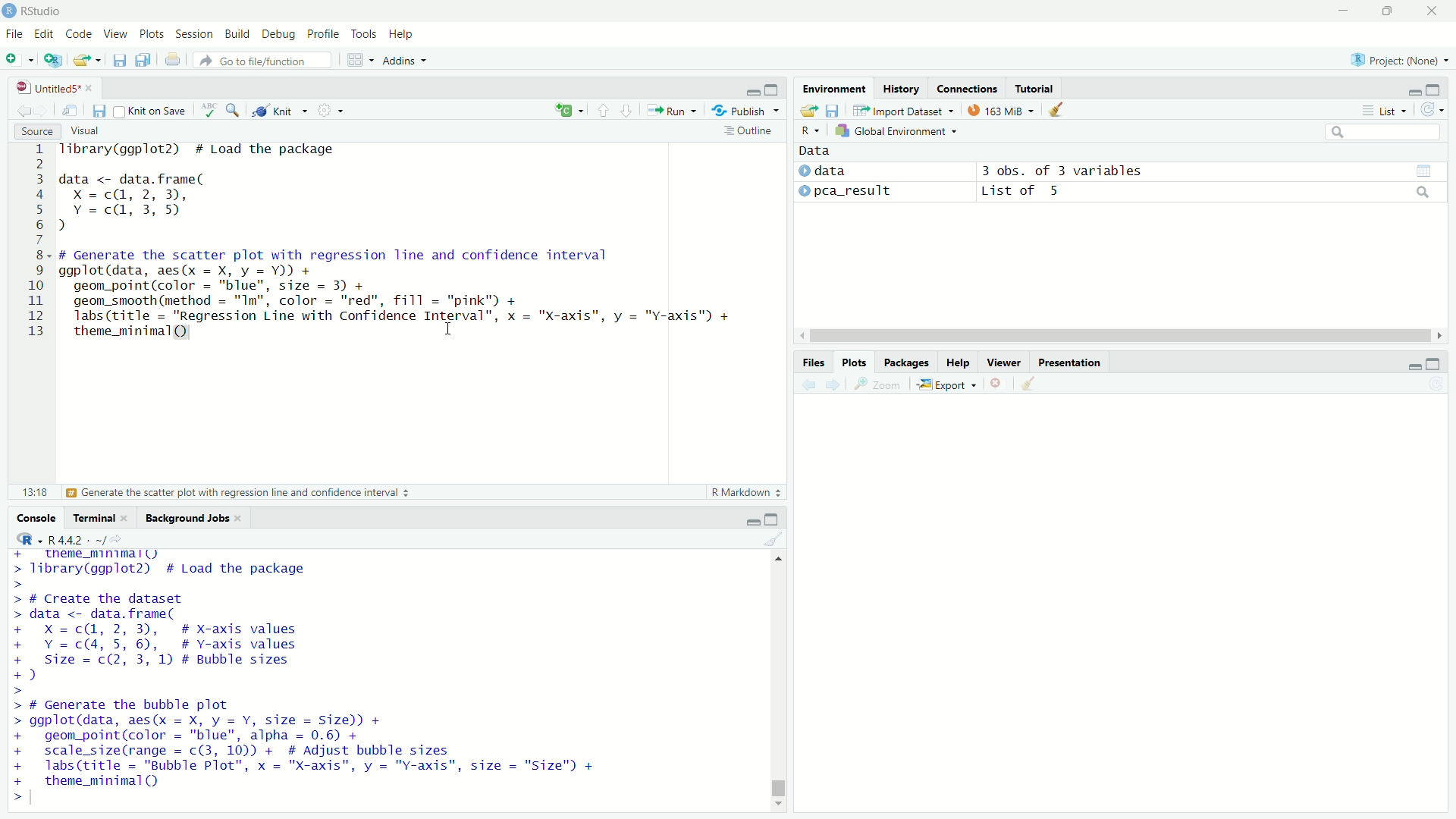 The image size is (1456, 819). What do you see at coordinates (172, 58) in the screenshot?
I see `Print the current file` at bounding box center [172, 58].